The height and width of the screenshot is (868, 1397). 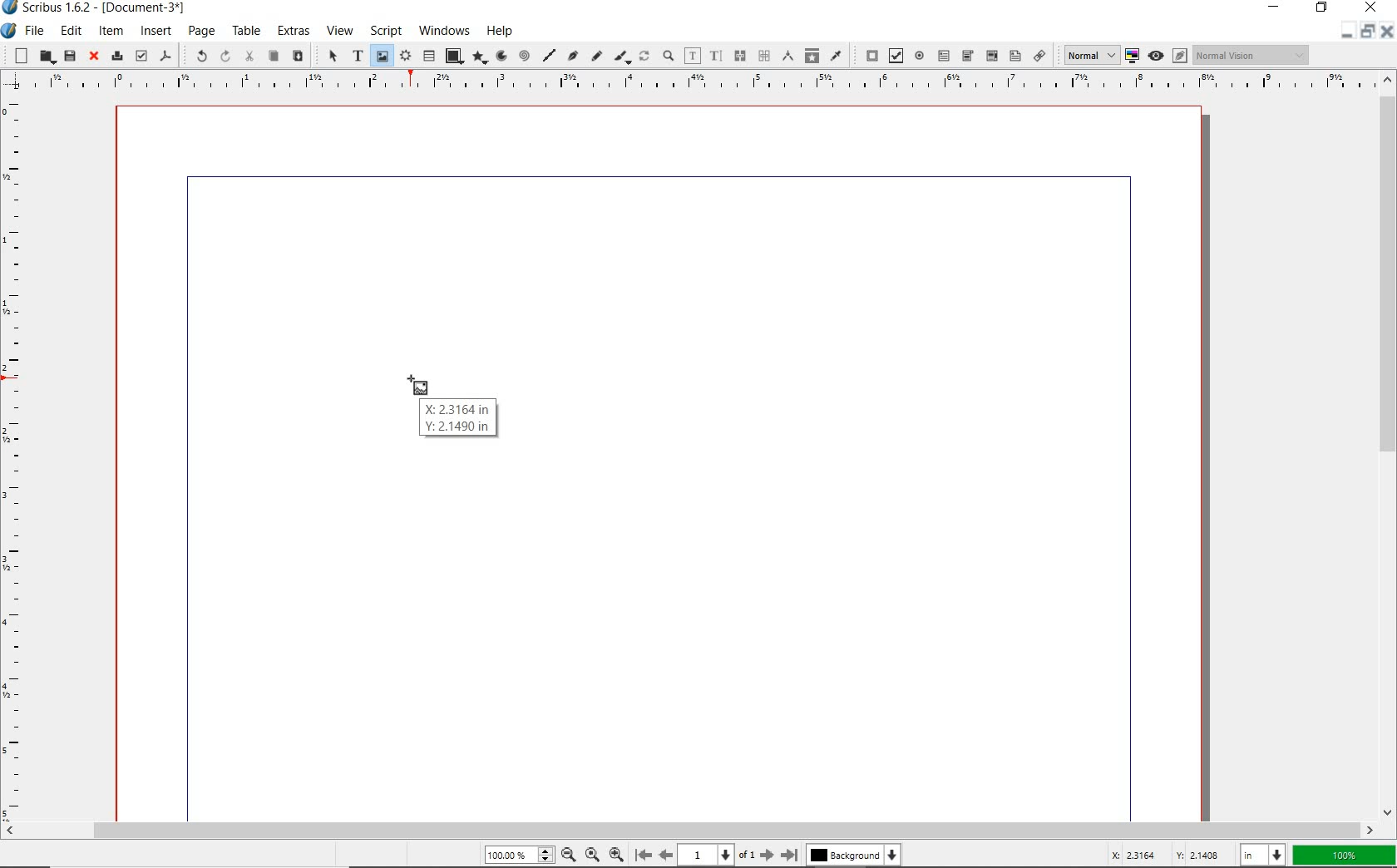 What do you see at coordinates (1389, 446) in the screenshot?
I see `SCROLLBAR` at bounding box center [1389, 446].